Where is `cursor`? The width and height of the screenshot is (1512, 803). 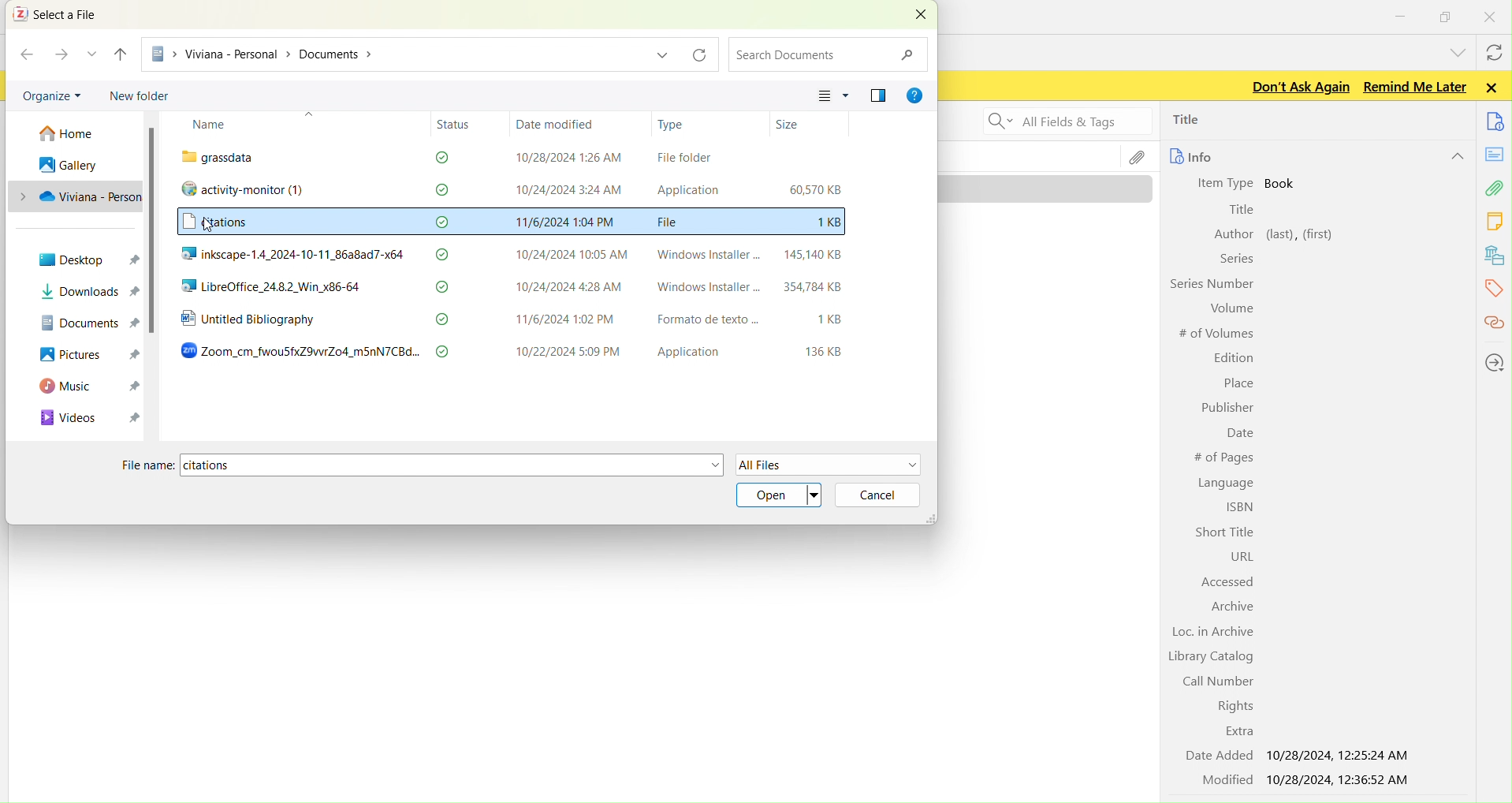 cursor is located at coordinates (203, 225).